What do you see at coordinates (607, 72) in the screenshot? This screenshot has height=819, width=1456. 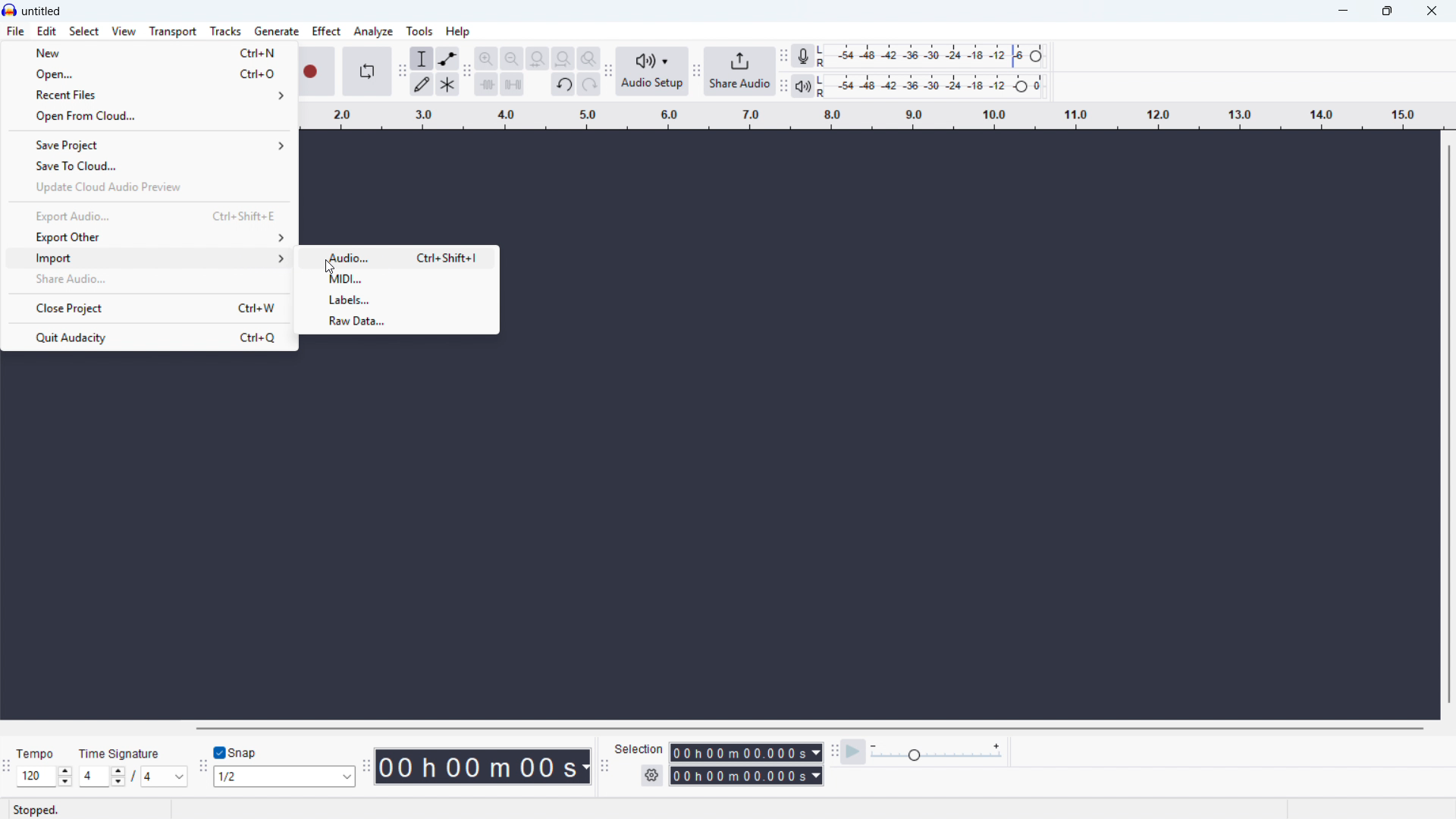 I see `Audio setup toolbar ` at bounding box center [607, 72].